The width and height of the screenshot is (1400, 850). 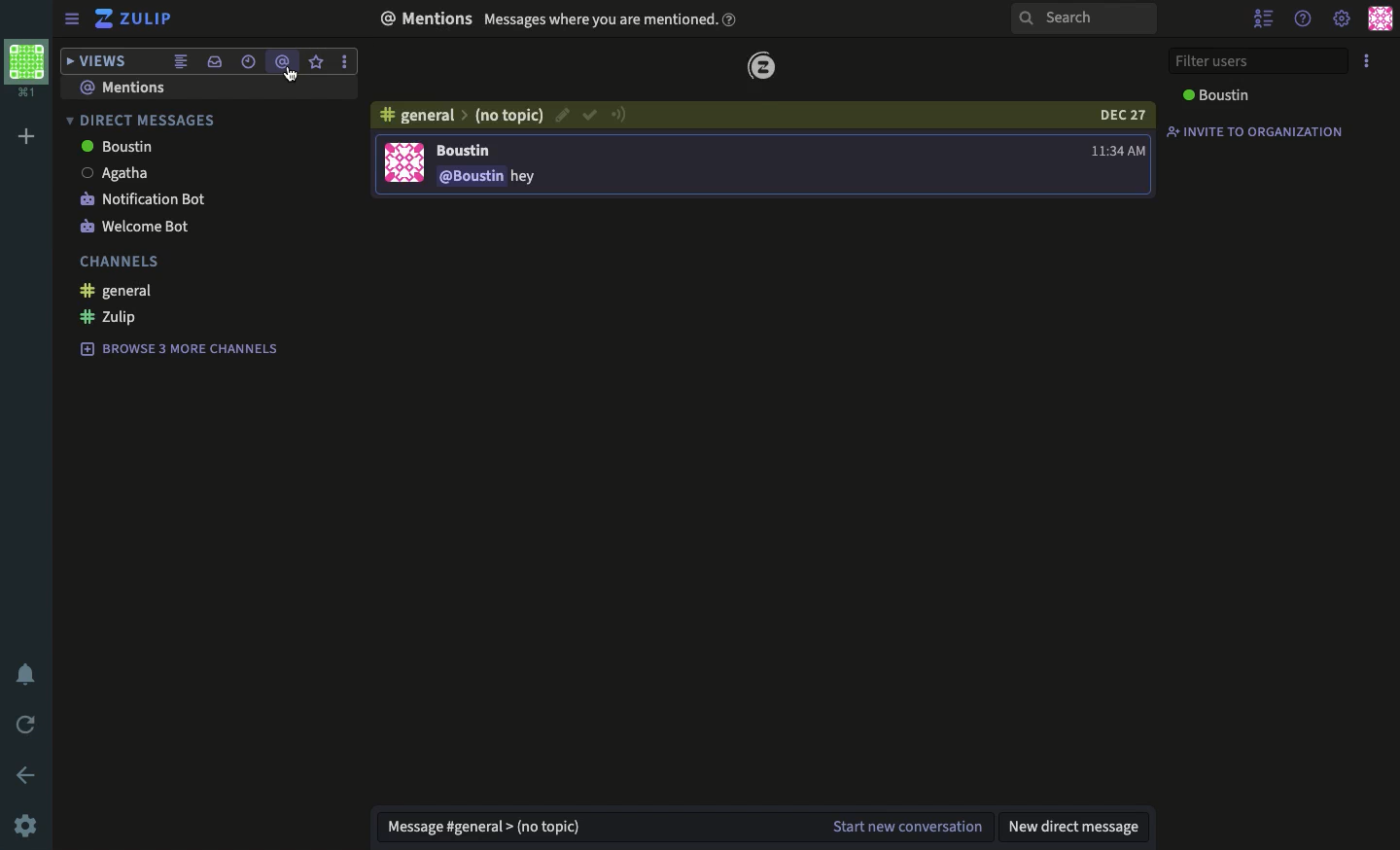 What do you see at coordinates (1367, 61) in the screenshot?
I see `options` at bounding box center [1367, 61].